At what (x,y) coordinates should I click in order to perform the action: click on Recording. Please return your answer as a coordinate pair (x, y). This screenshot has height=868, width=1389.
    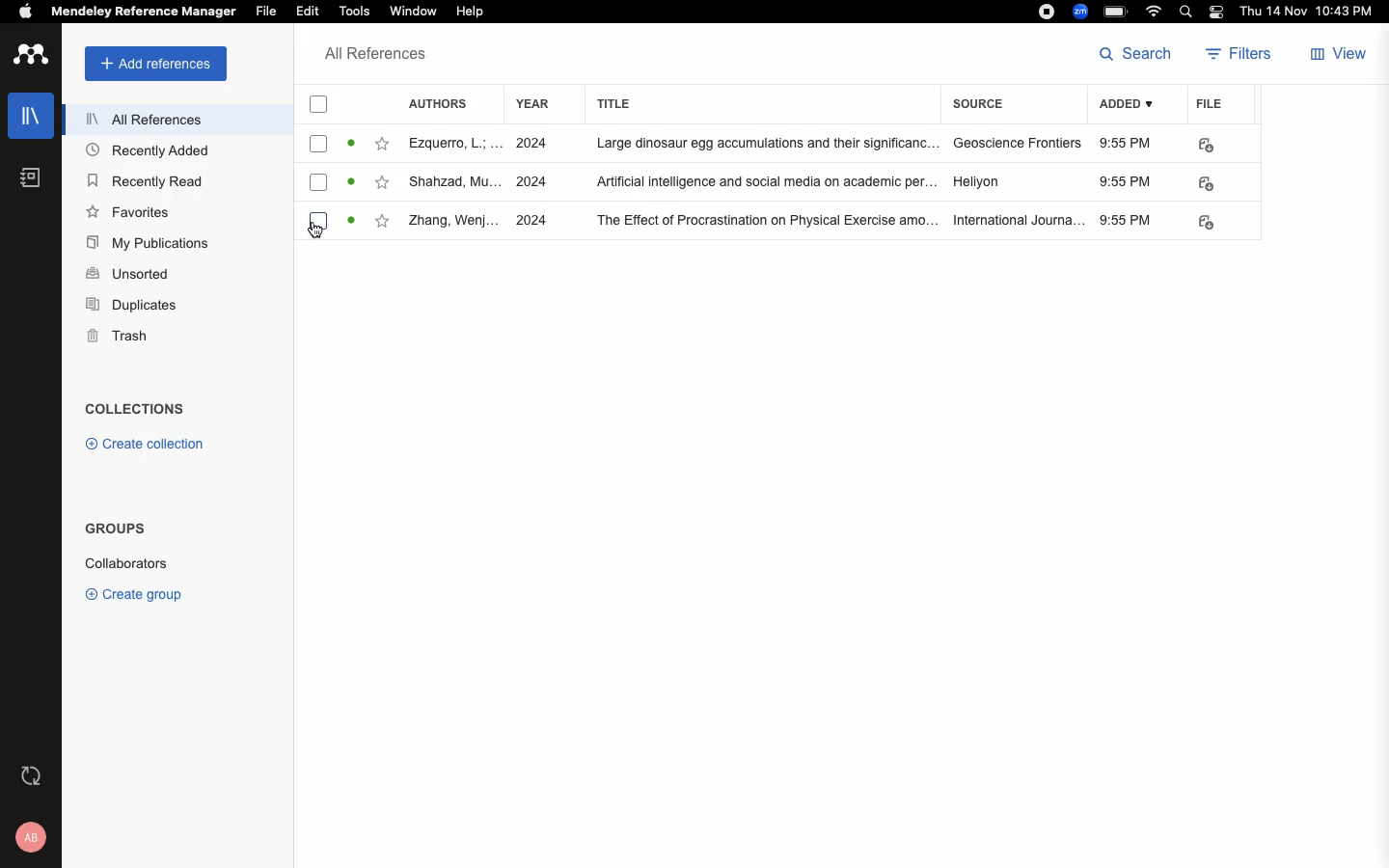
    Looking at the image, I should click on (1048, 10).